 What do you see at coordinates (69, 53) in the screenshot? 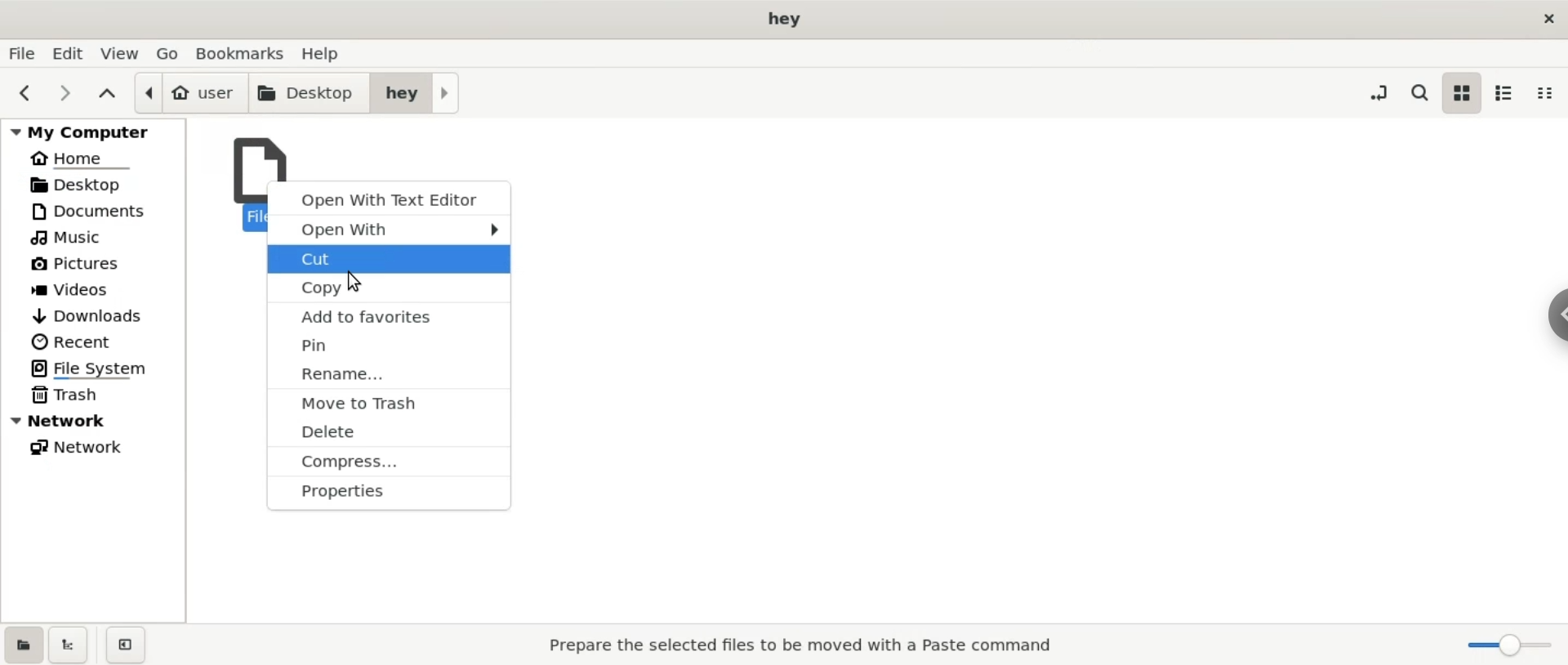
I see `edit` at bounding box center [69, 53].